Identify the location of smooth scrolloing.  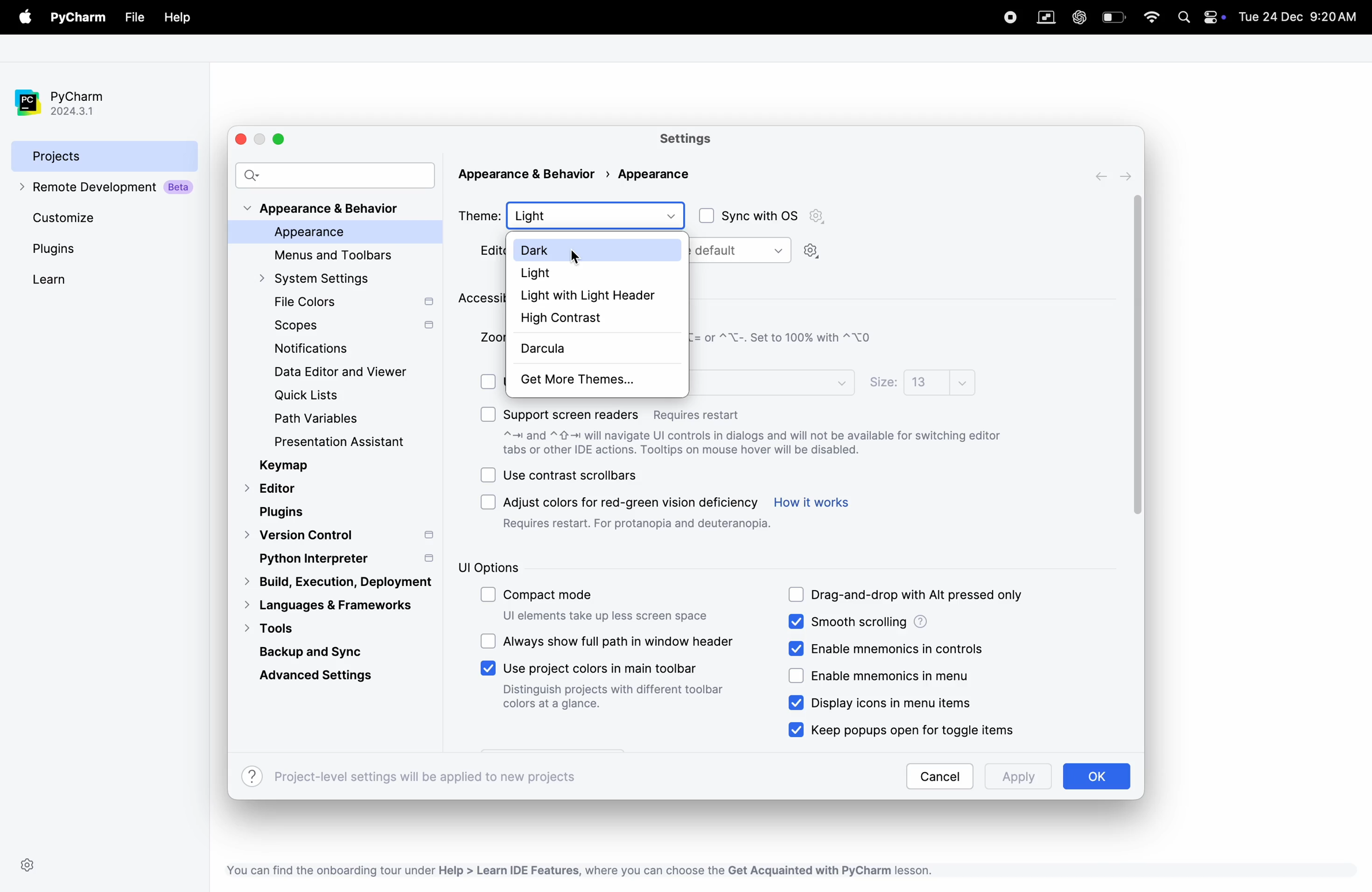
(913, 622).